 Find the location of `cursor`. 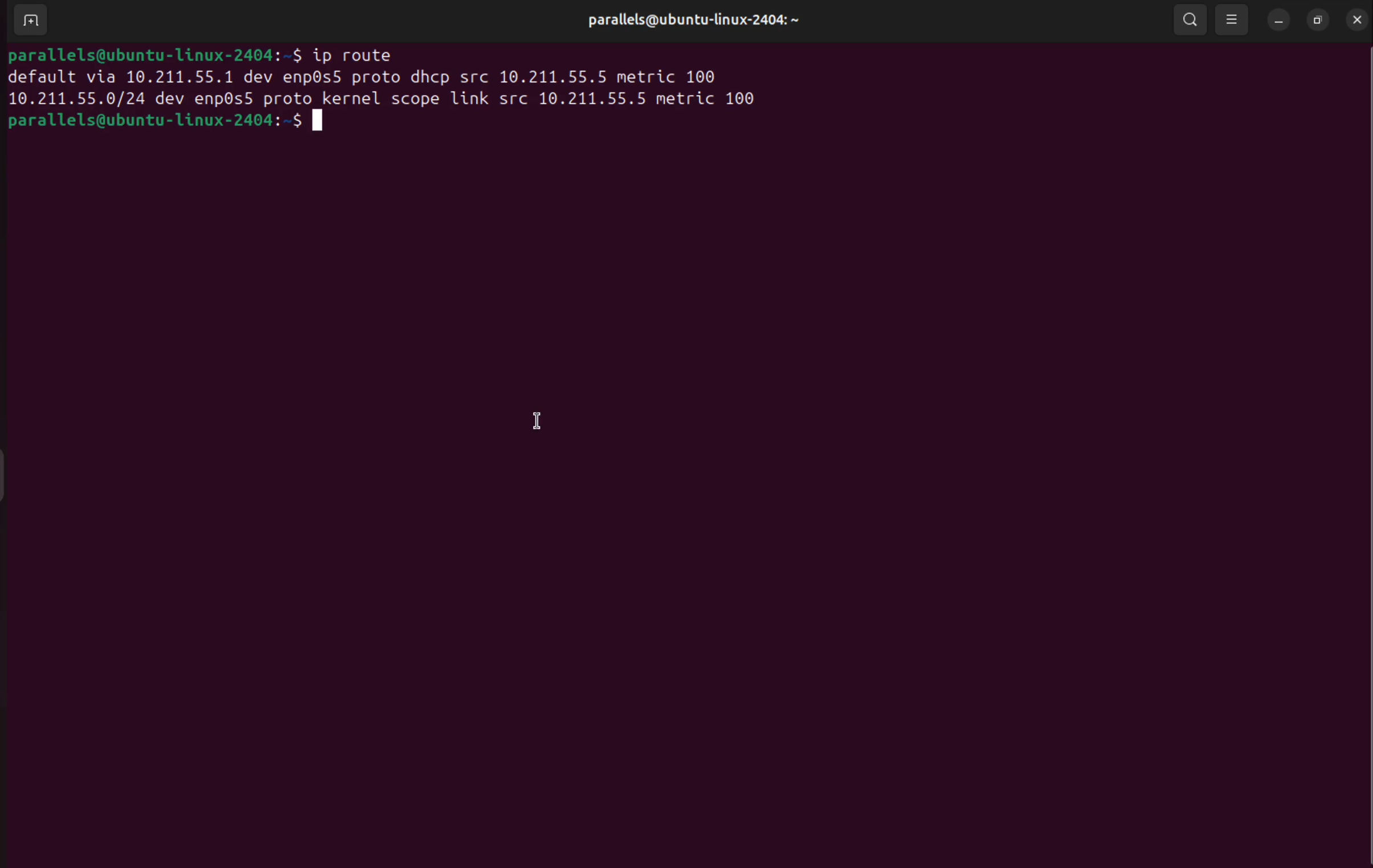

cursor is located at coordinates (536, 421).